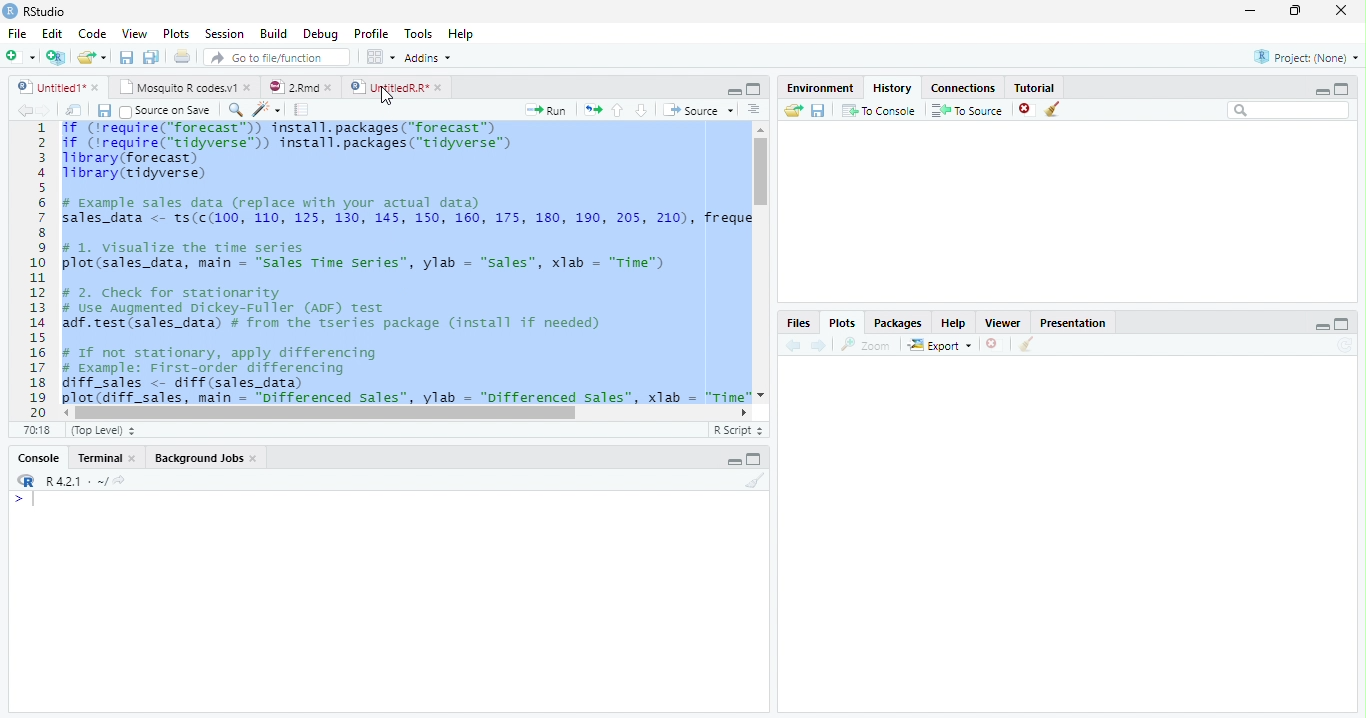 The width and height of the screenshot is (1366, 718). I want to click on Previous, so click(793, 345).